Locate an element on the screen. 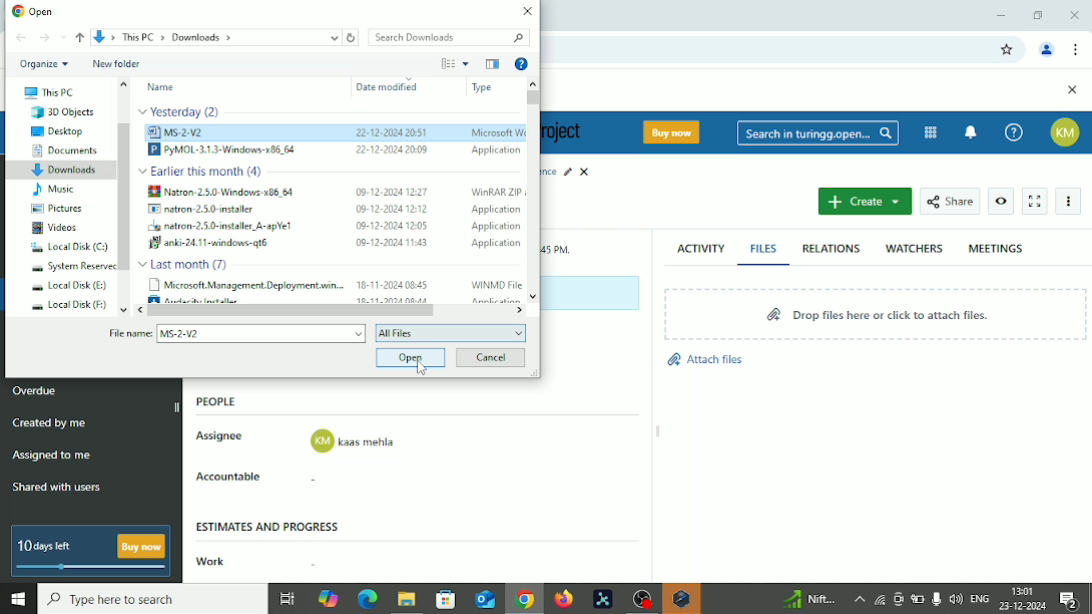 The height and width of the screenshot is (614, 1092). People is located at coordinates (223, 403).